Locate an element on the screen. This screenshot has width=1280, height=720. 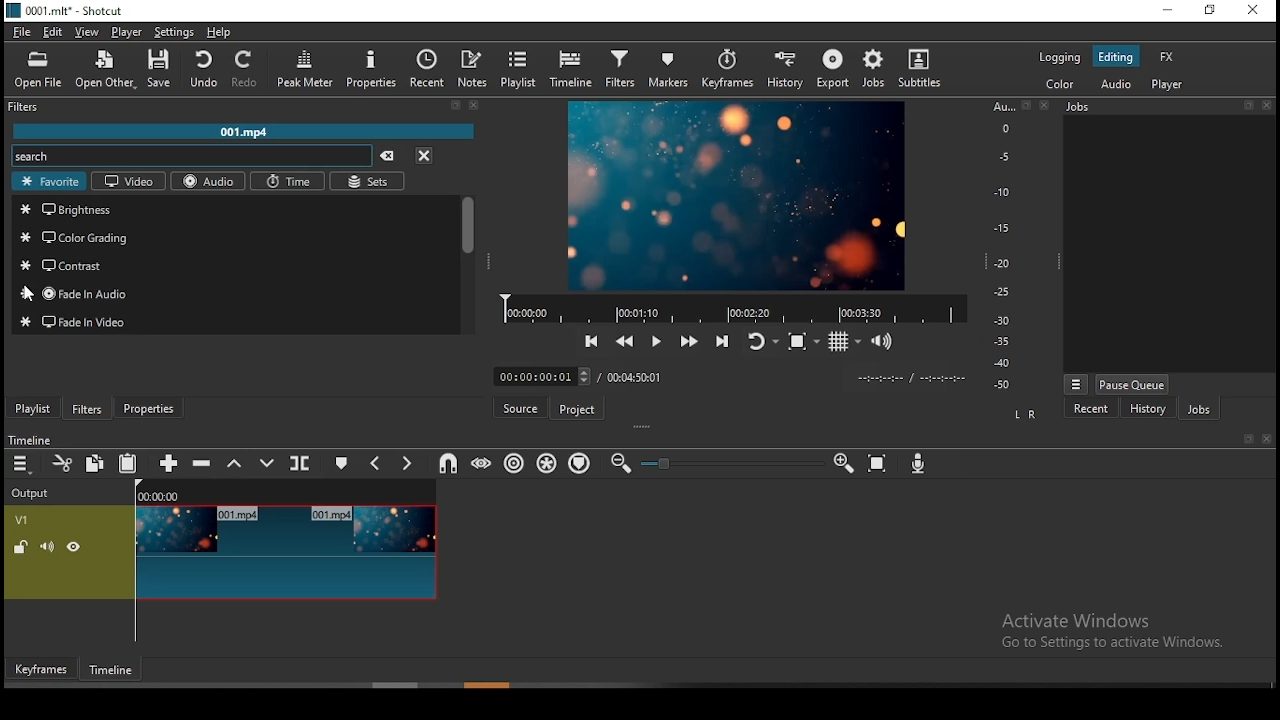
view as icons is located at coordinates (267, 378).